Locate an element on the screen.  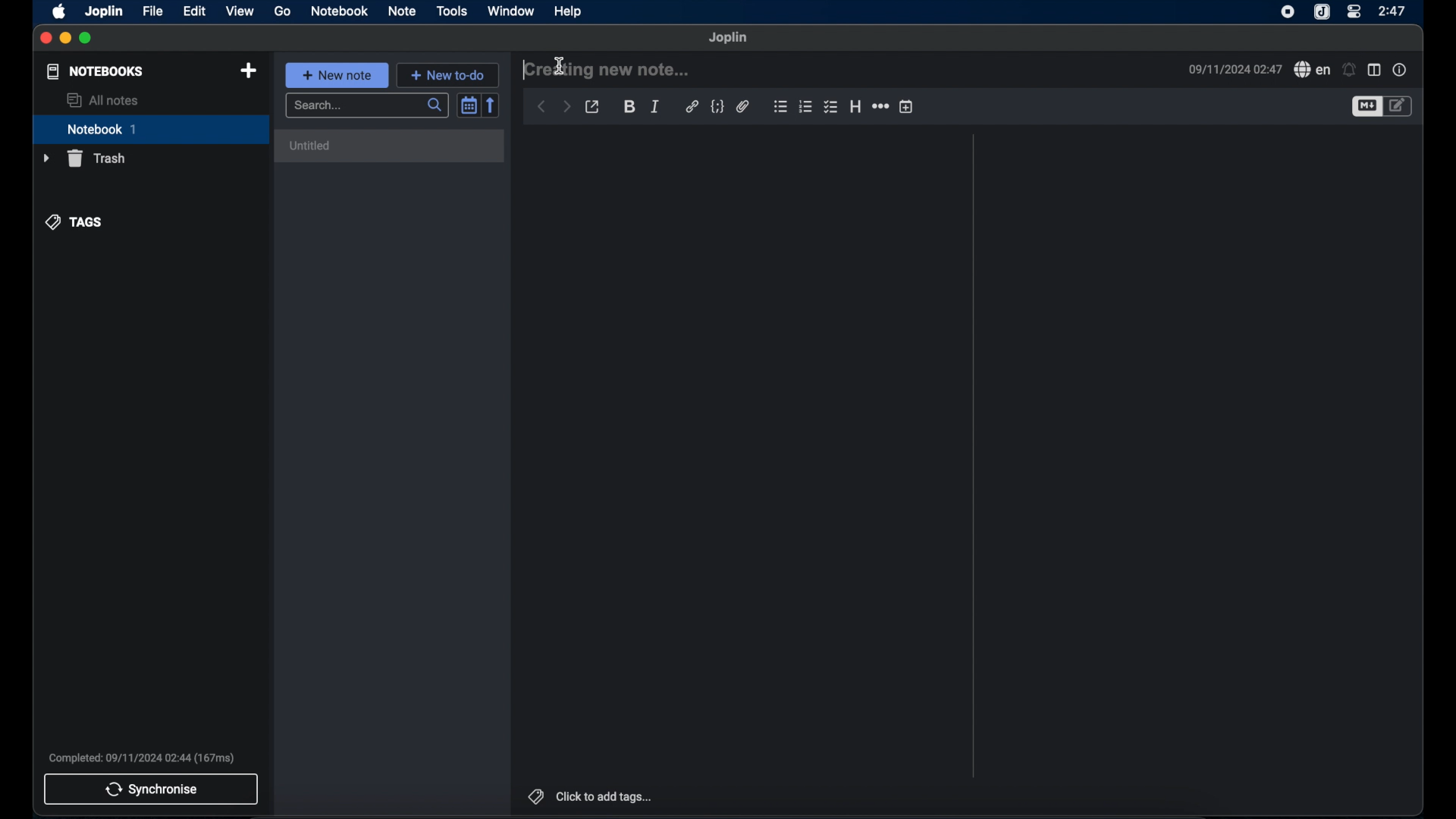
toggle editor is located at coordinates (1365, 107).